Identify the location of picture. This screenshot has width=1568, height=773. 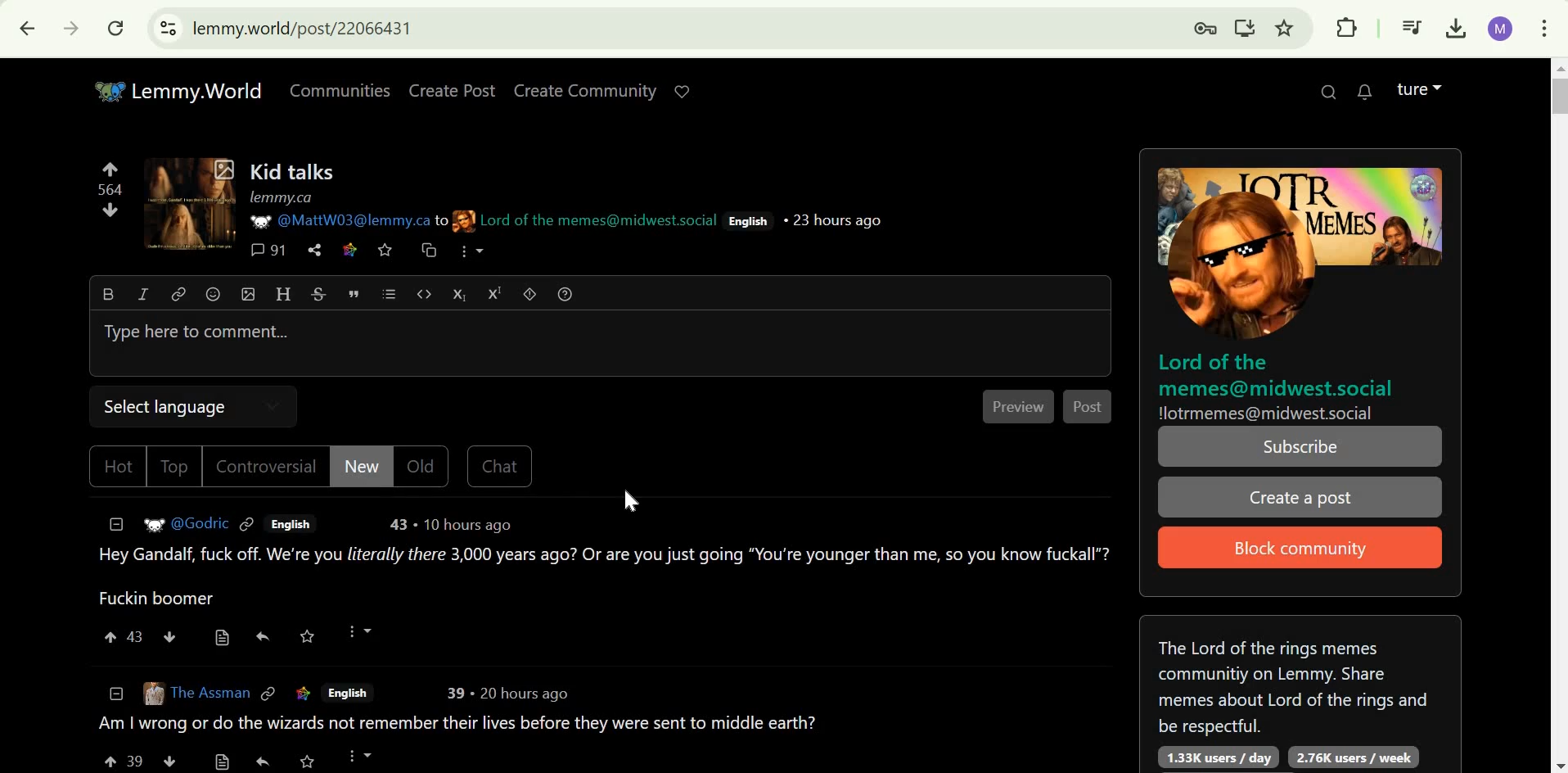
(152, 691).